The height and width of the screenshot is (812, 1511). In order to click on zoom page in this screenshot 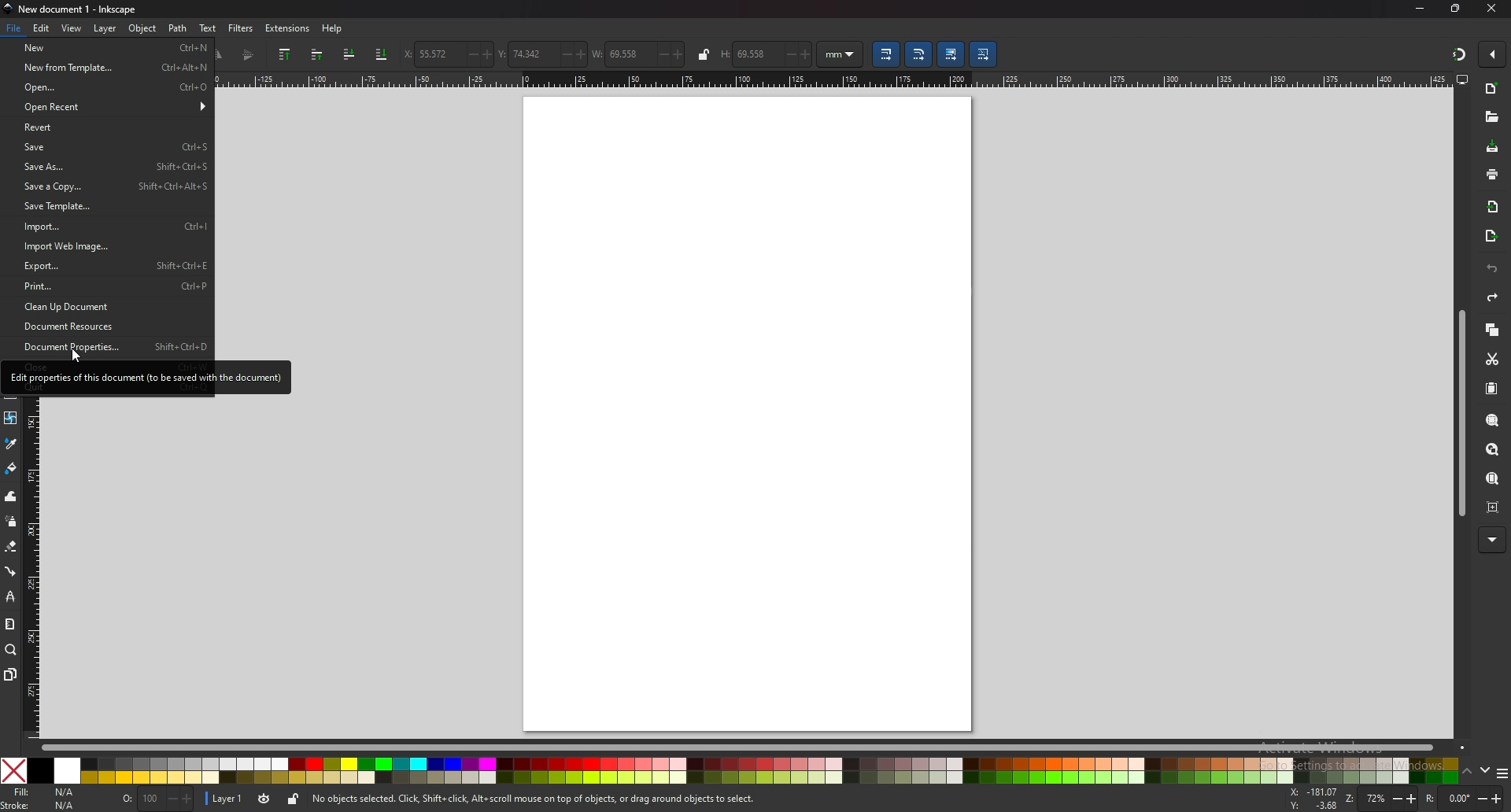, I will do `click(1493, 478)`.